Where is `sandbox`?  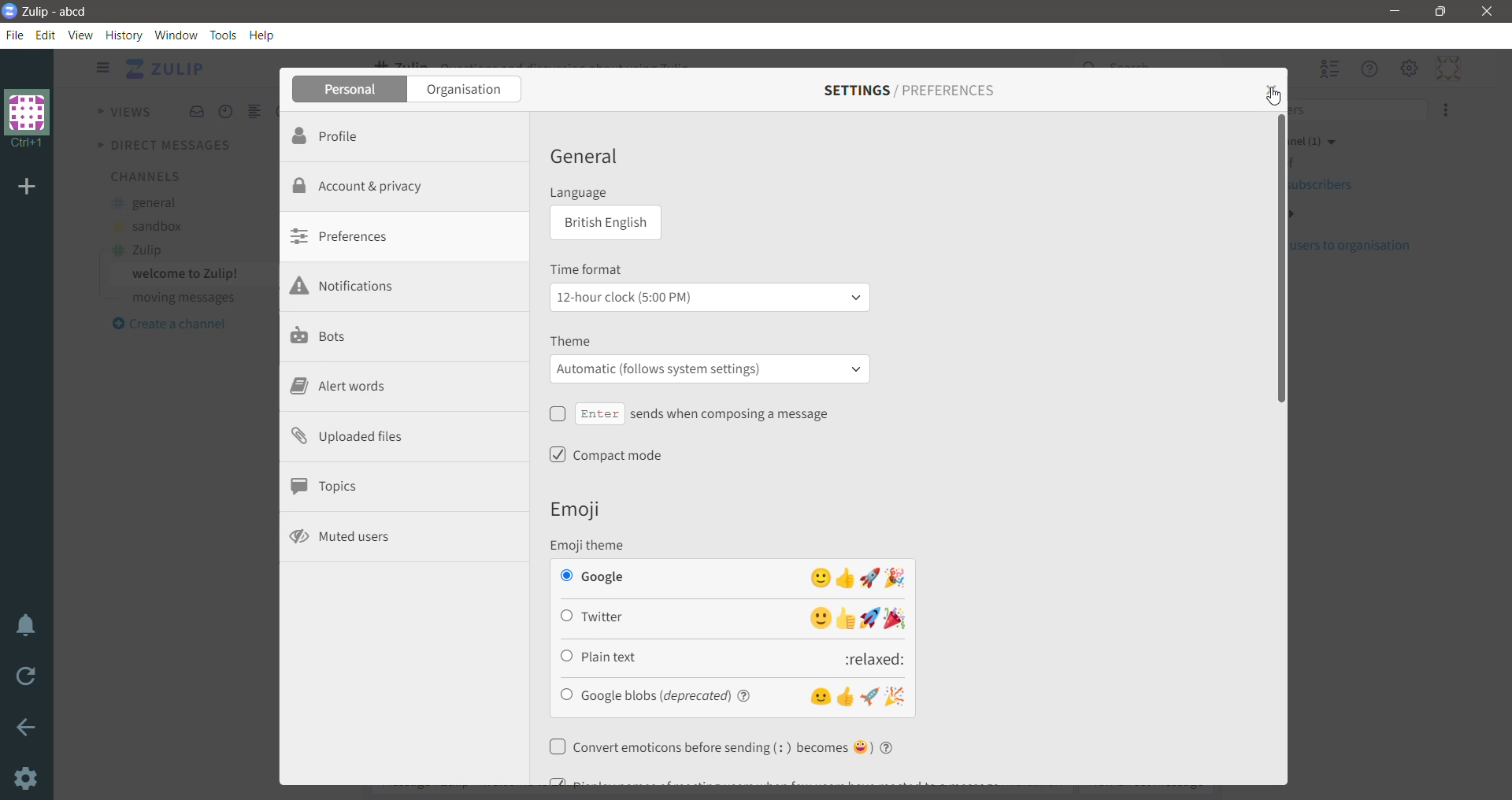
sandbox is located at coordinates (146, 228).